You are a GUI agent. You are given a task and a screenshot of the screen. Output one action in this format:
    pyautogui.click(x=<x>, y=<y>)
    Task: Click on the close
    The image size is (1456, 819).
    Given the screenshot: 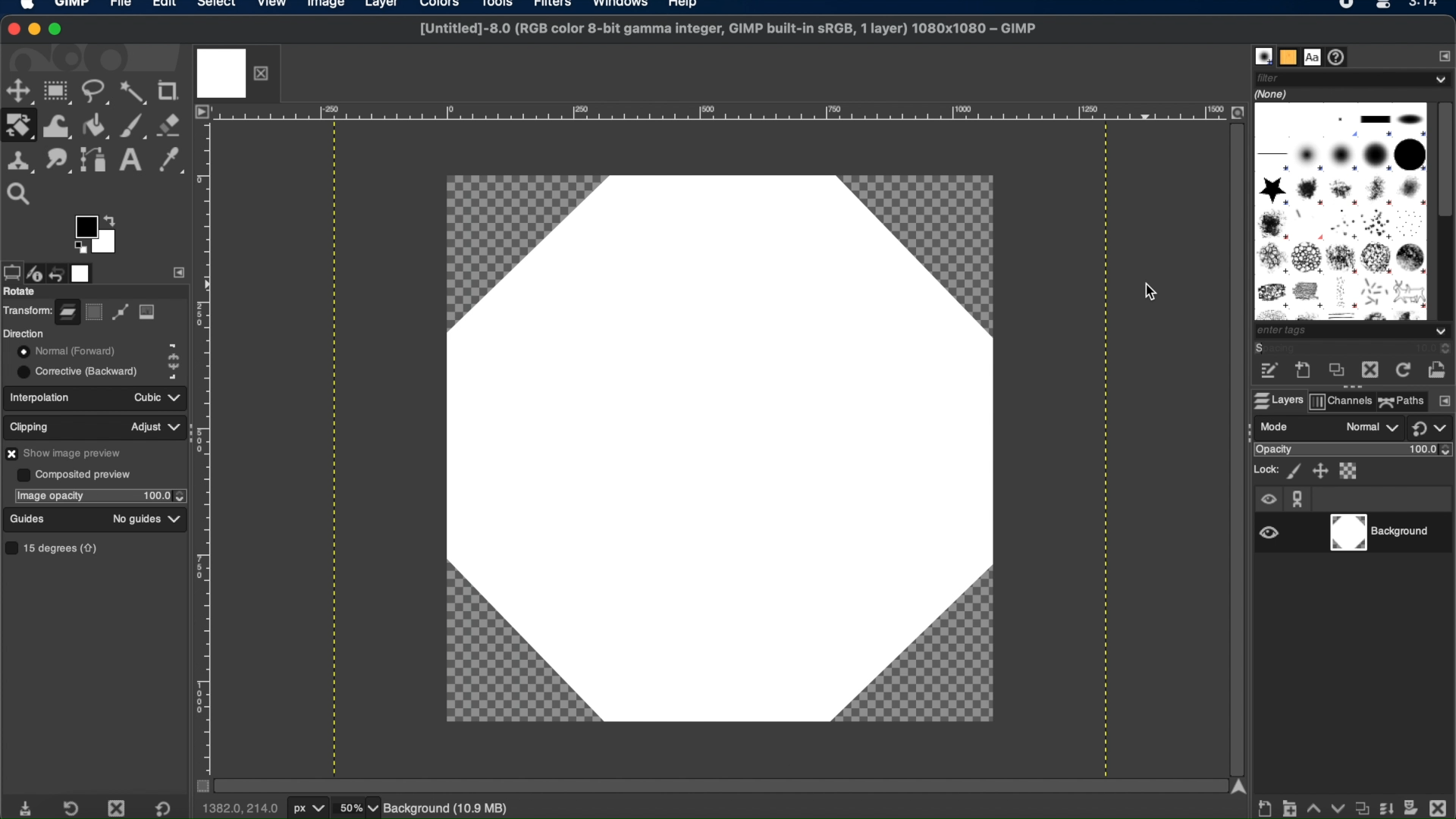 What is the action you would take?
    pyautogui.click(x=14, y=27)
    